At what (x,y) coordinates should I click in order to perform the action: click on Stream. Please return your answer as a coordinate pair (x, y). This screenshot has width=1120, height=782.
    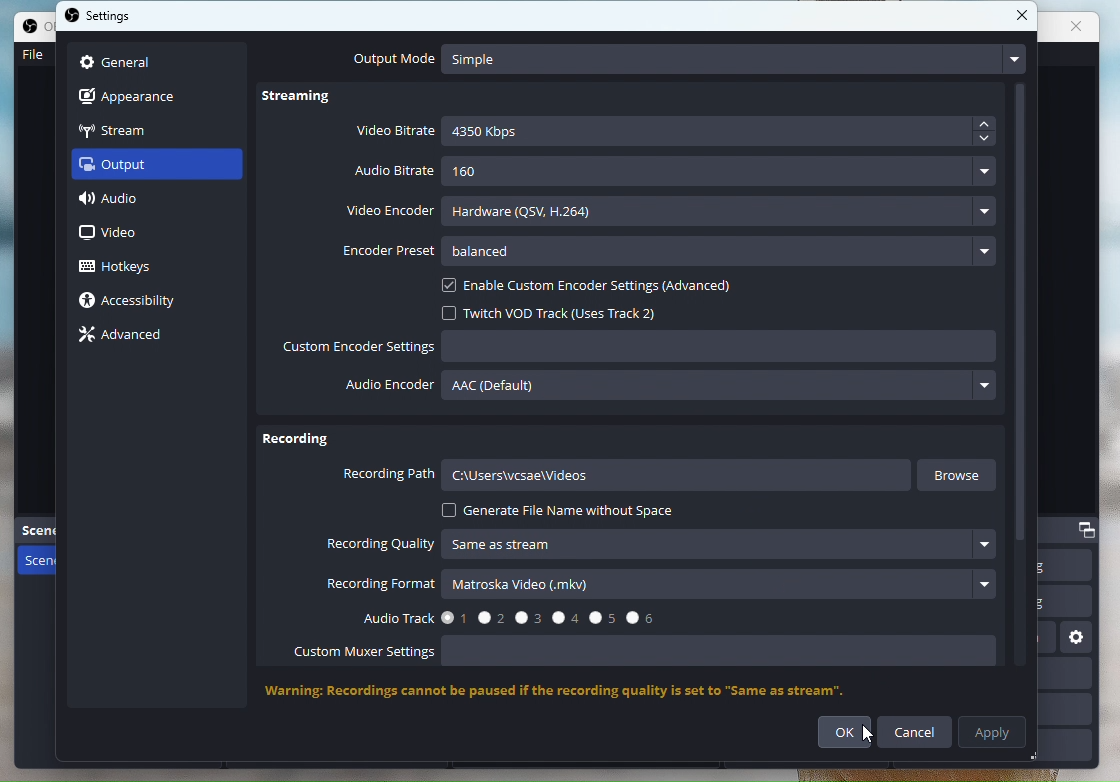
    Looking at the image, I should click on (136, 129).